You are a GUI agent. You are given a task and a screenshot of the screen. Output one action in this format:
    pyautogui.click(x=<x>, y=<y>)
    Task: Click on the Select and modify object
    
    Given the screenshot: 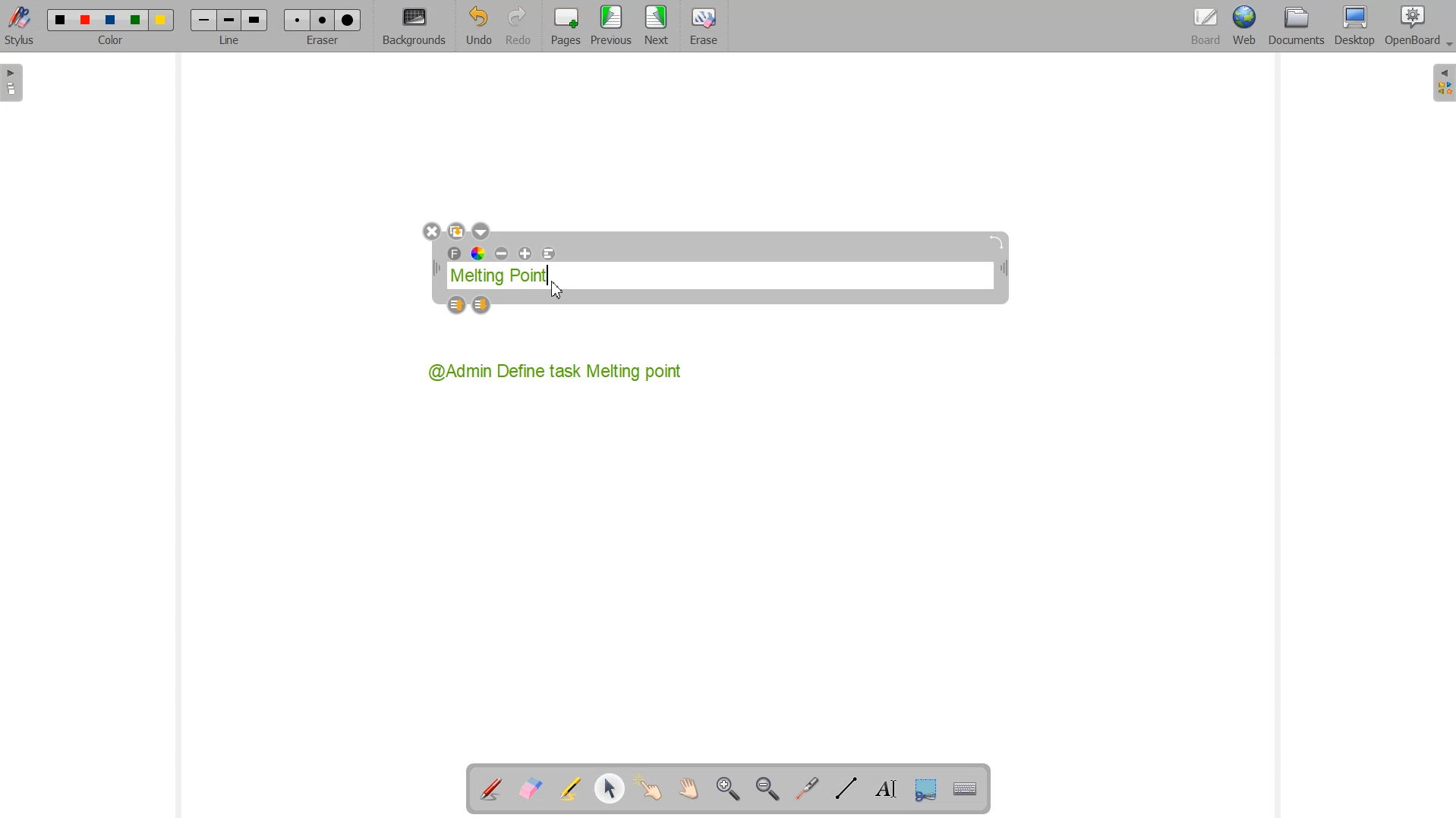 What is the action you would take?
    pyautogui.click(x=610, y=789)
    